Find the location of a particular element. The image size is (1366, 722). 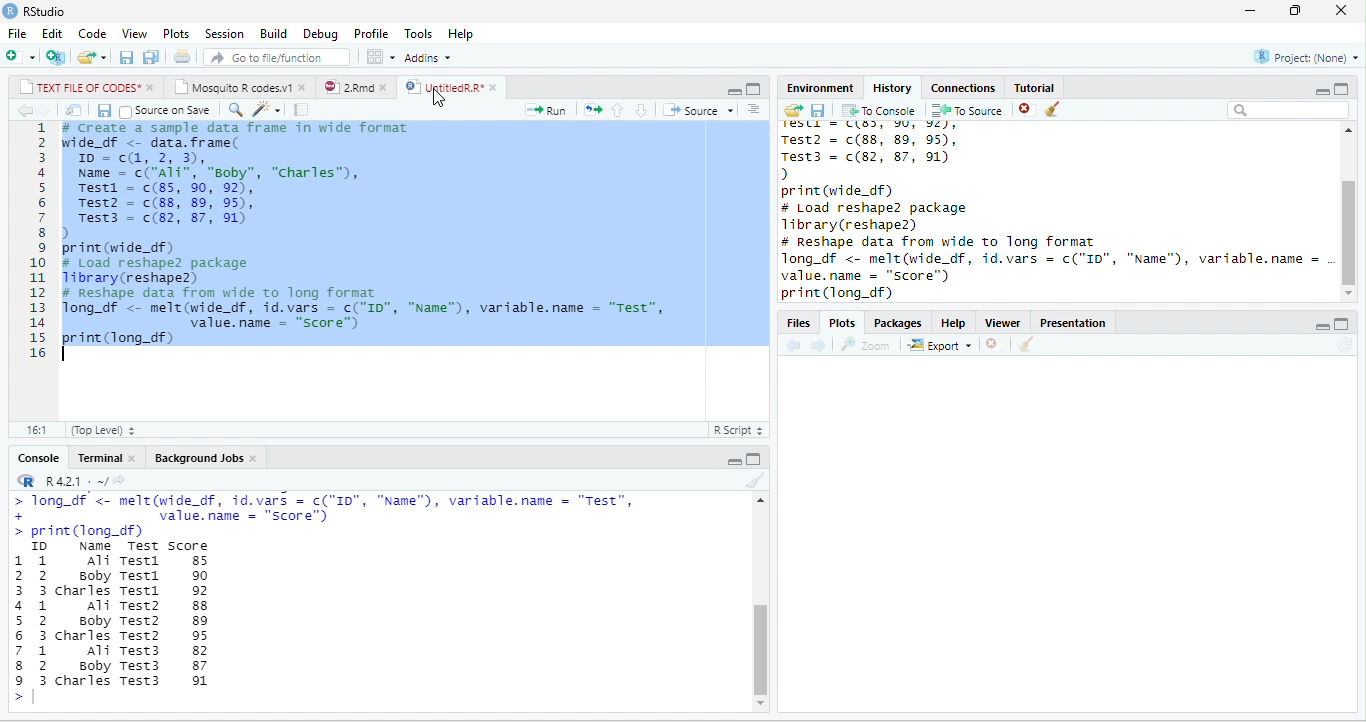

> long_df <- melt(wide_df, id.vars = c("ID", "Name"), variable.name = "Test",
+ value.name = "score”)
> print(long_df) is located at coordinates (325, 515).